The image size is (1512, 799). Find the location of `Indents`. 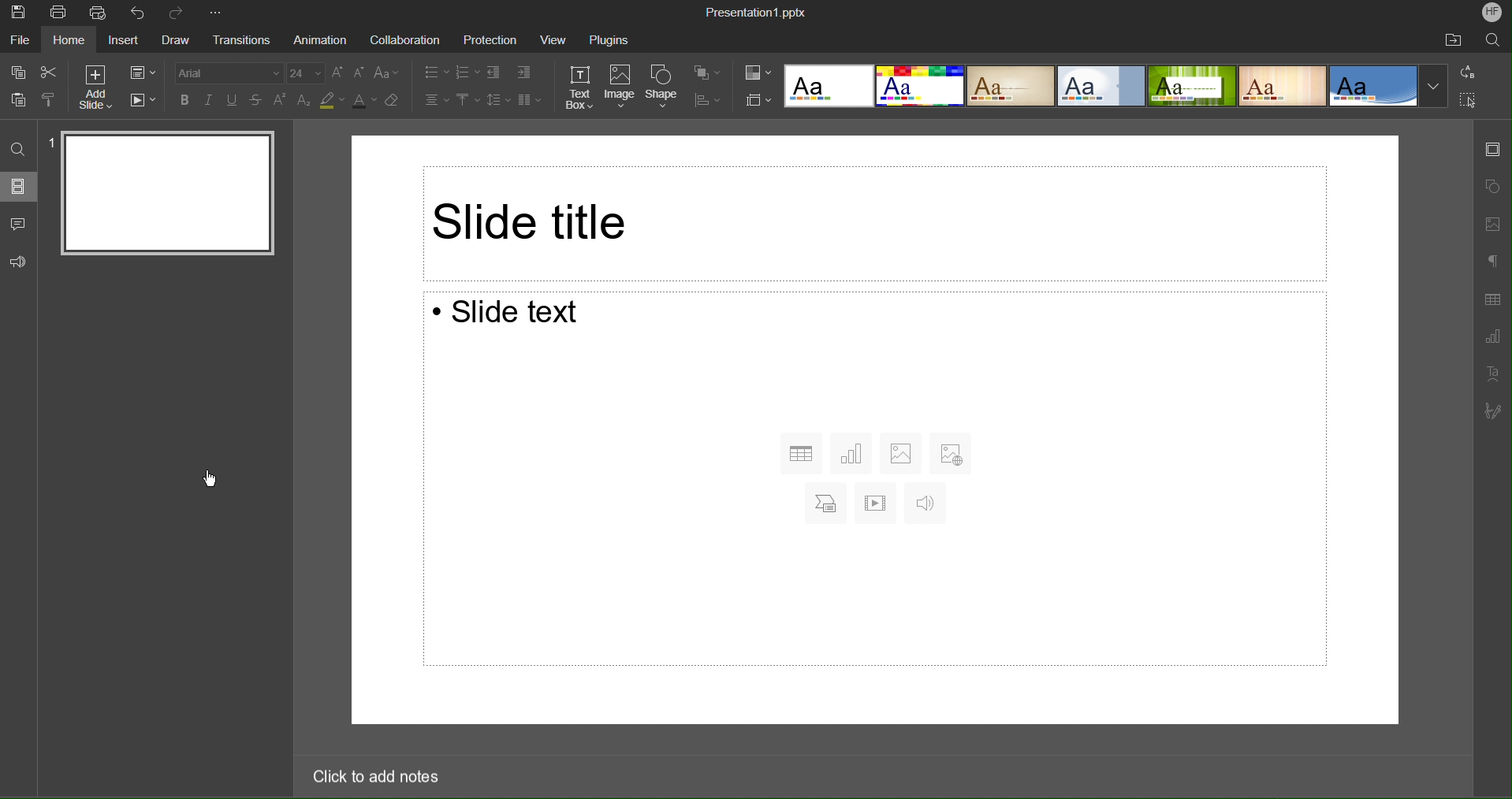

Indents is located at coordinates (513, 71).